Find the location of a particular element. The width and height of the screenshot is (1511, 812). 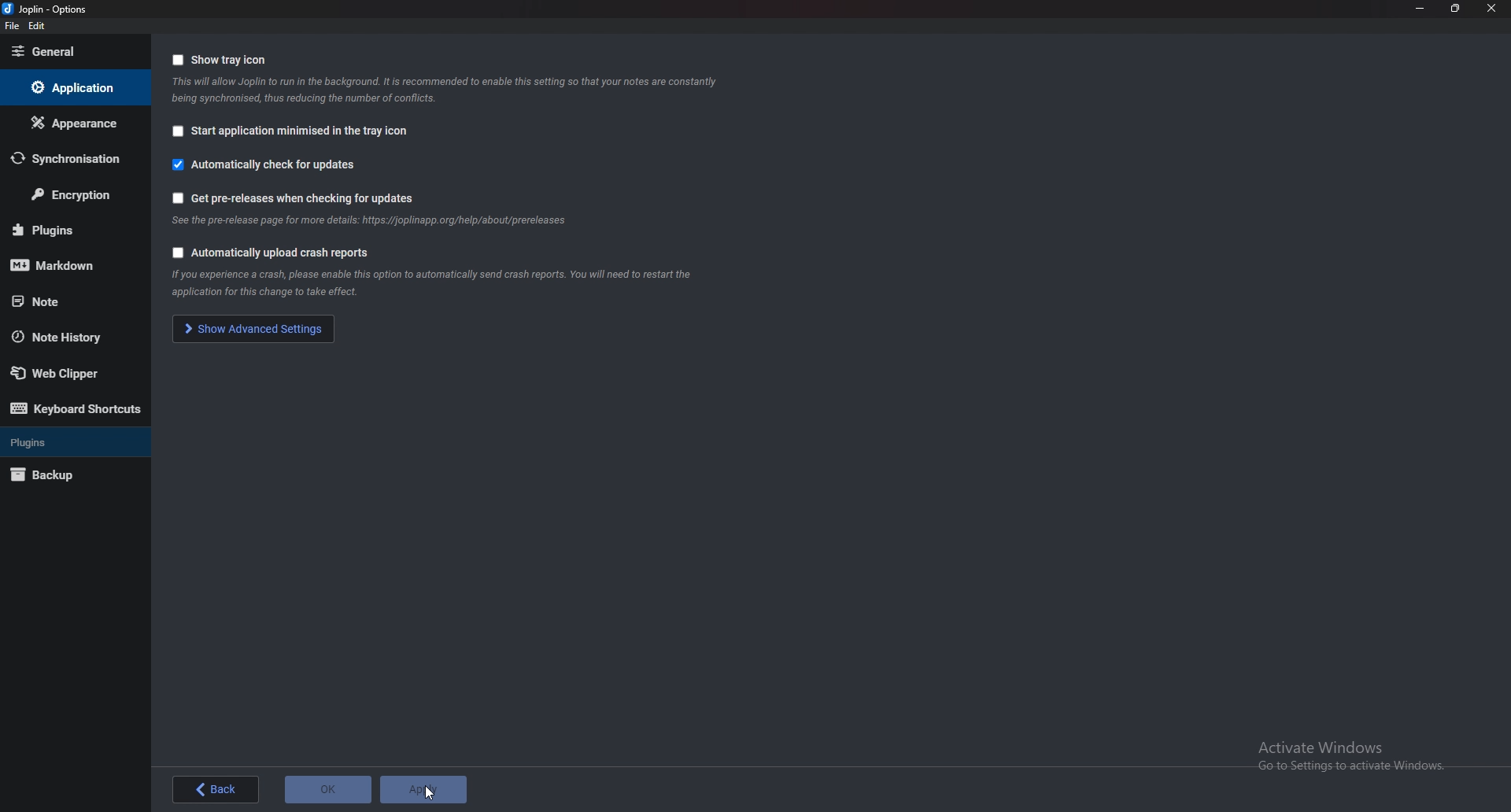

ok is located at coordinates (327, 789).